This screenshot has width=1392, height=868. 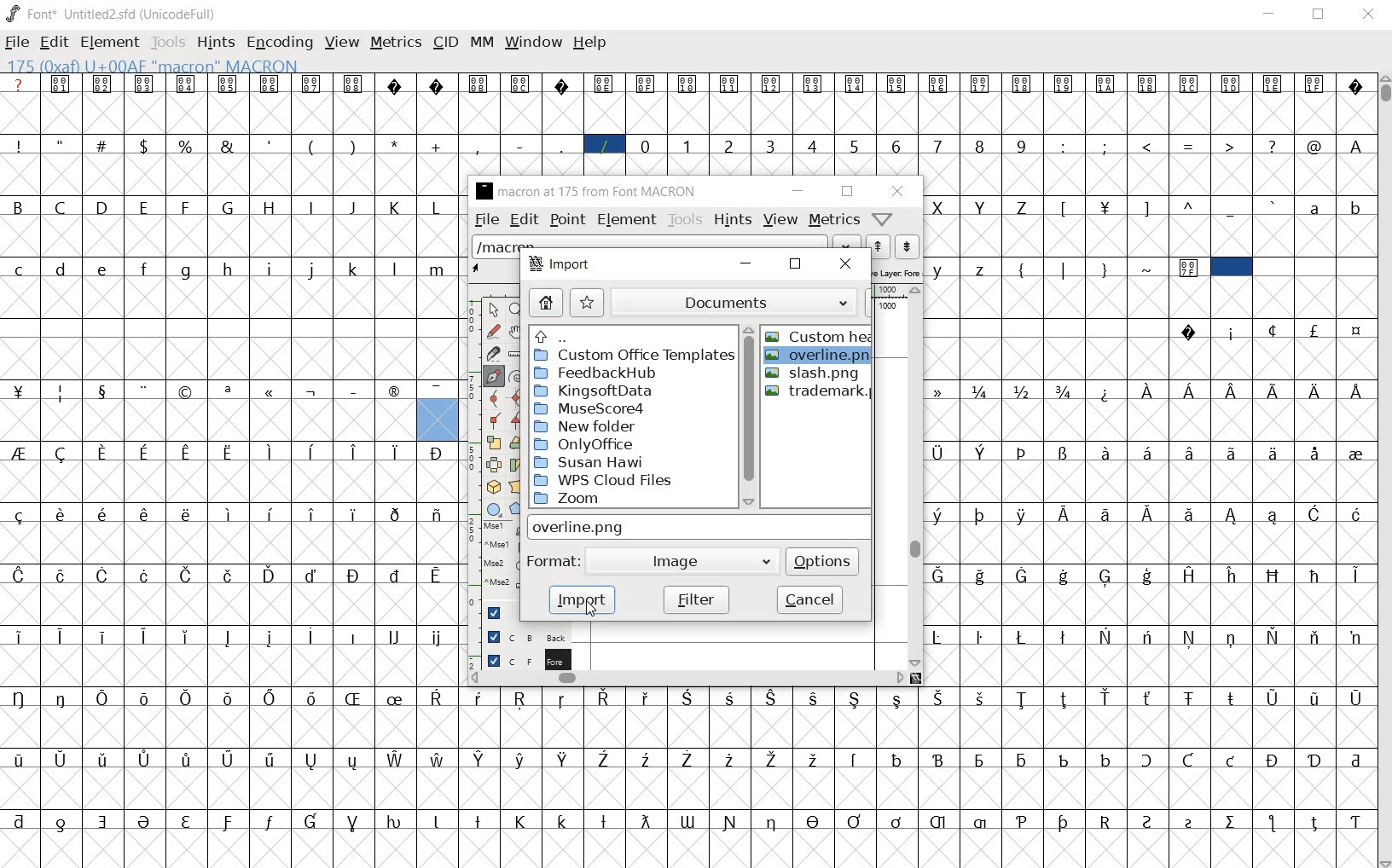 I want to click on Symbol, so click(x=981, y=453).